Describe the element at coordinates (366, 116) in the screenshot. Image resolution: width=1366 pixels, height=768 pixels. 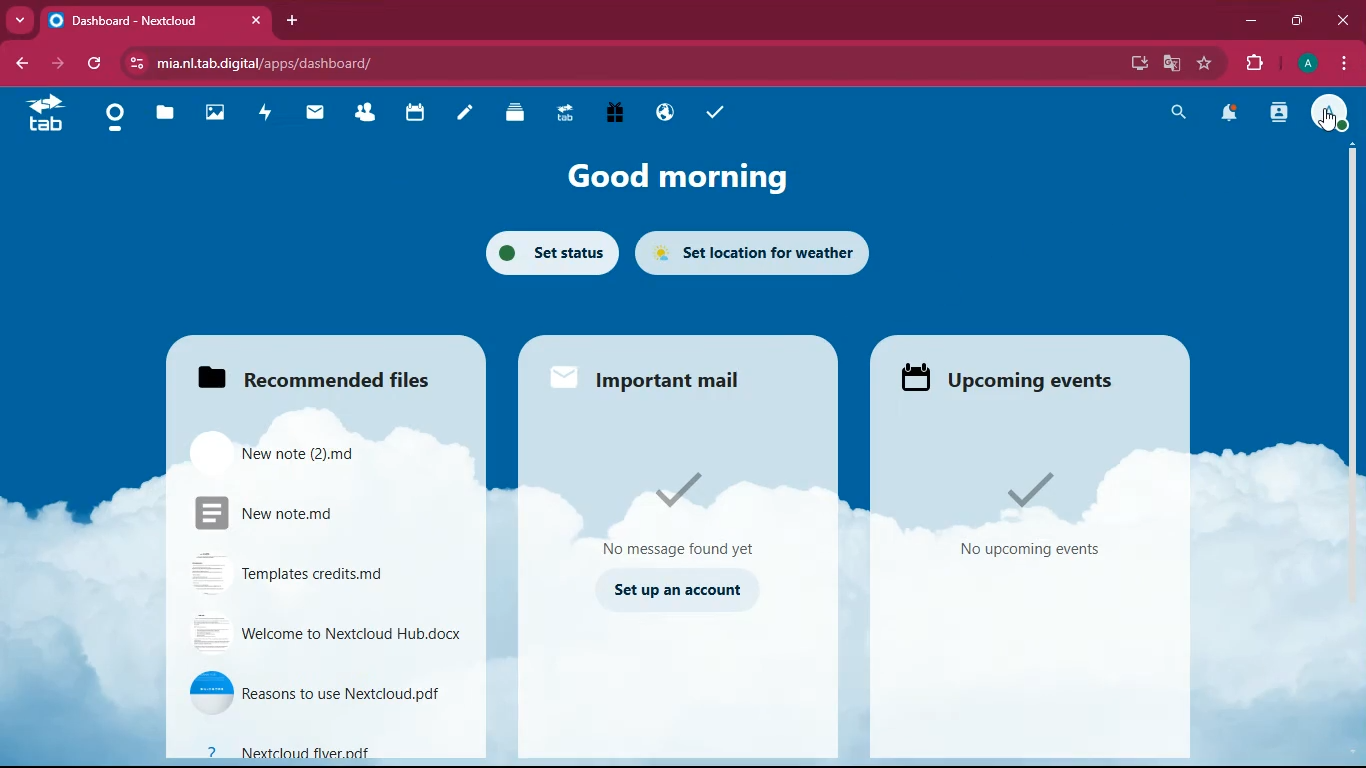
I see `friends` at that location.